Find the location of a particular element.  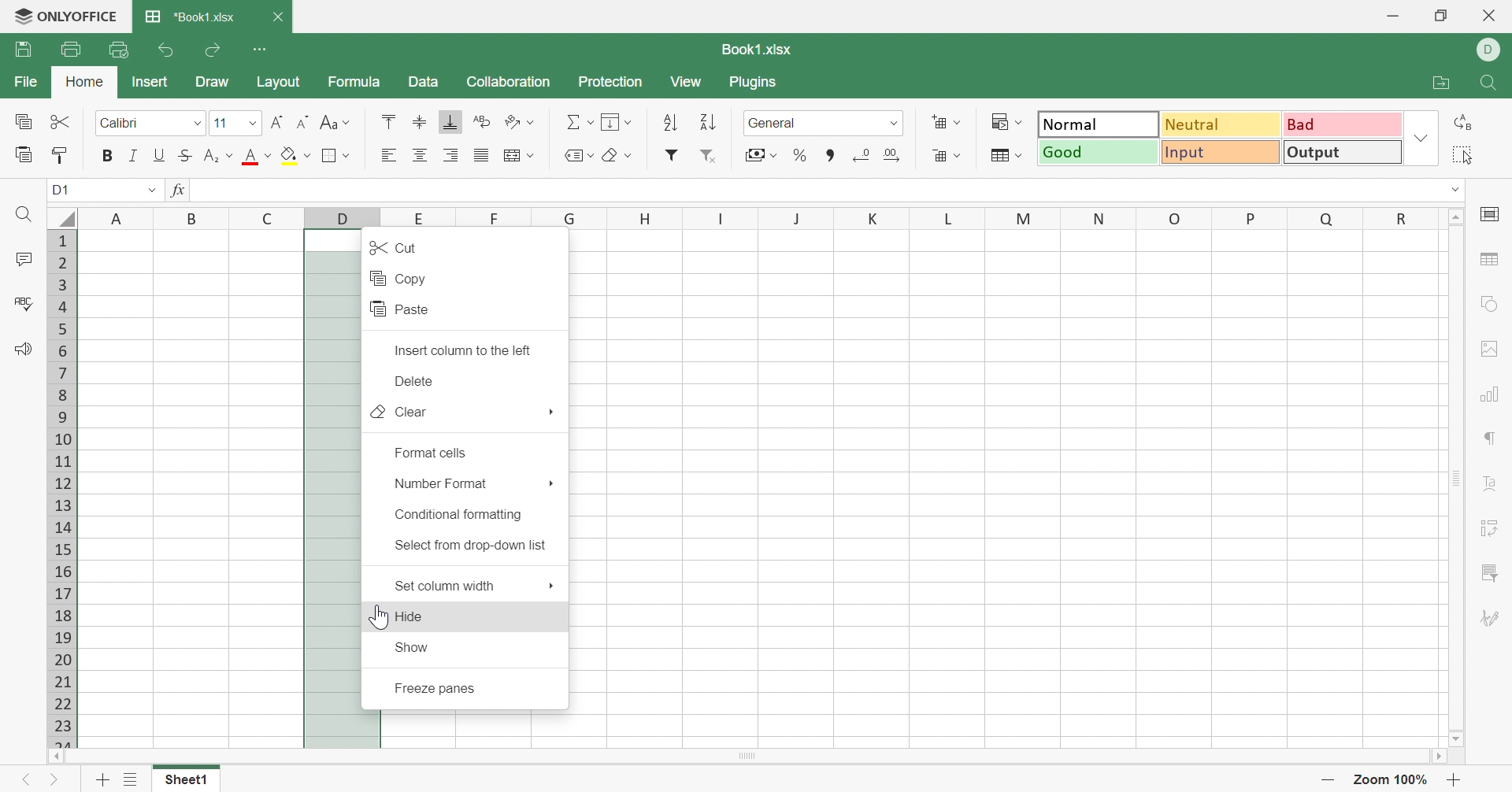

Change case is located at coordinates (328, 120).